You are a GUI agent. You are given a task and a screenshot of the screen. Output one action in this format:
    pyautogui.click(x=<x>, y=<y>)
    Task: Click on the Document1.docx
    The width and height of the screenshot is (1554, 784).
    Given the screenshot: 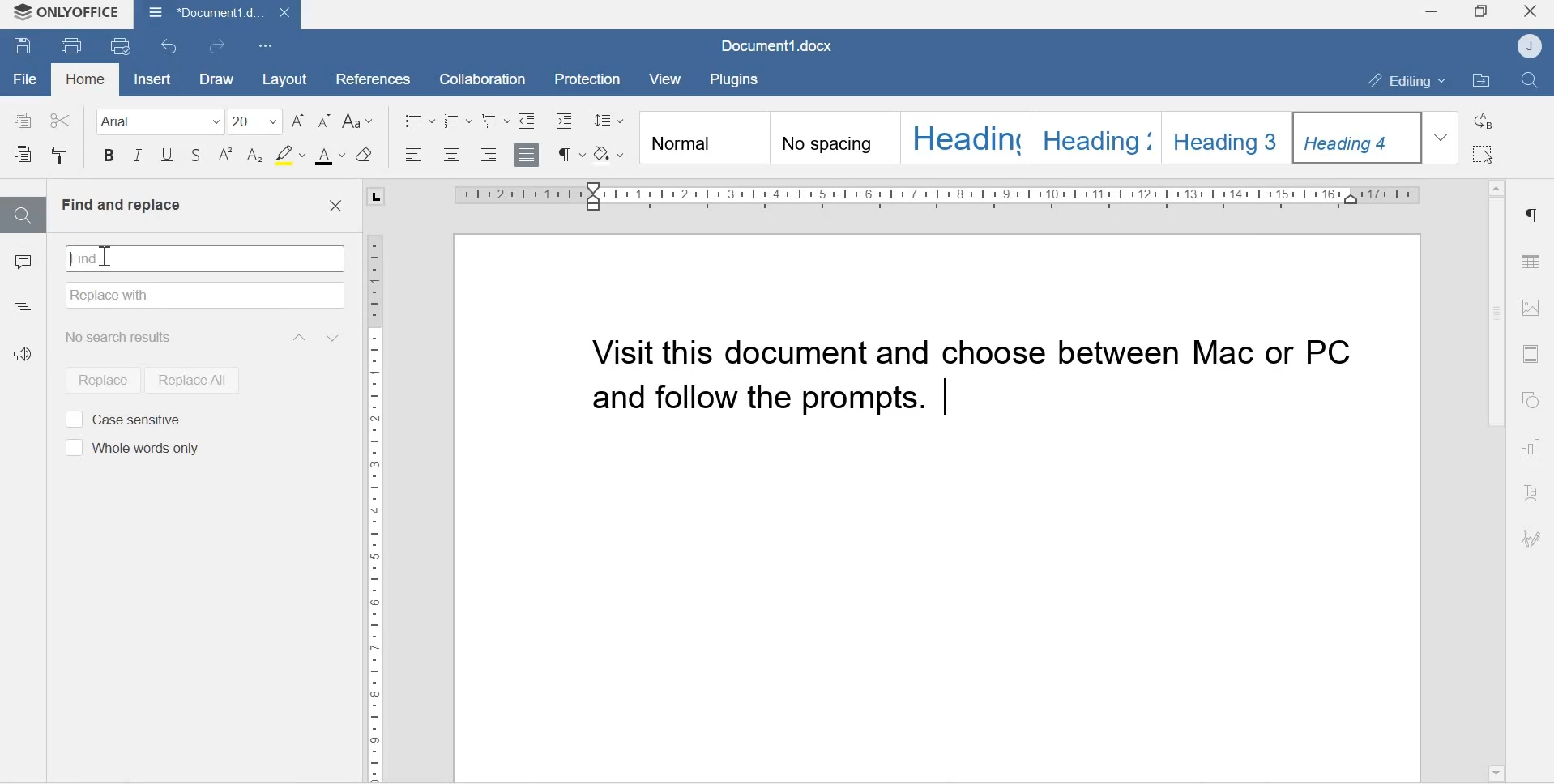 What is the action you would take?
    pyautogui.click(x=216, y=14)
    